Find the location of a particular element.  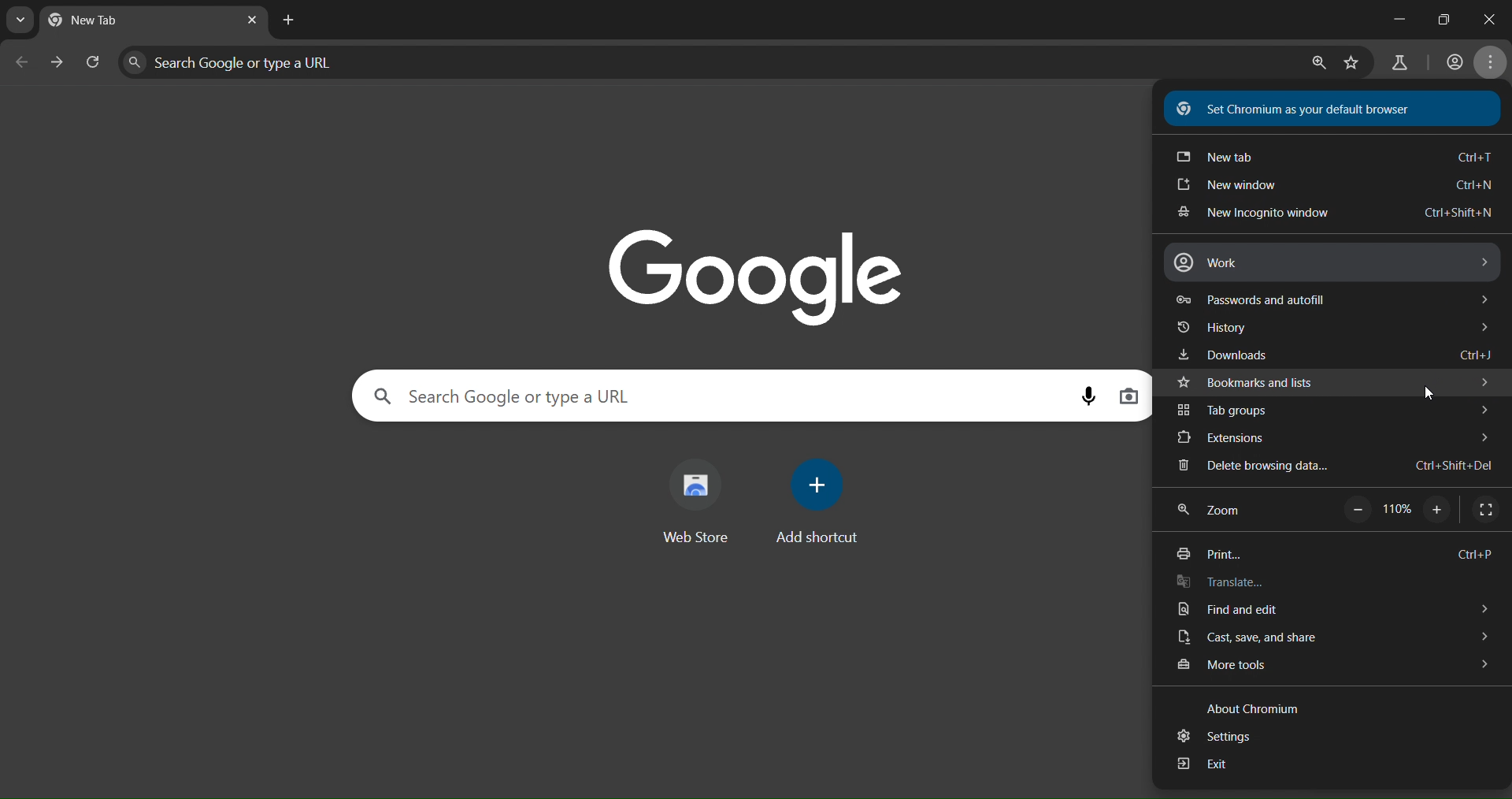

voice search is located at coordinates (1092, 397).